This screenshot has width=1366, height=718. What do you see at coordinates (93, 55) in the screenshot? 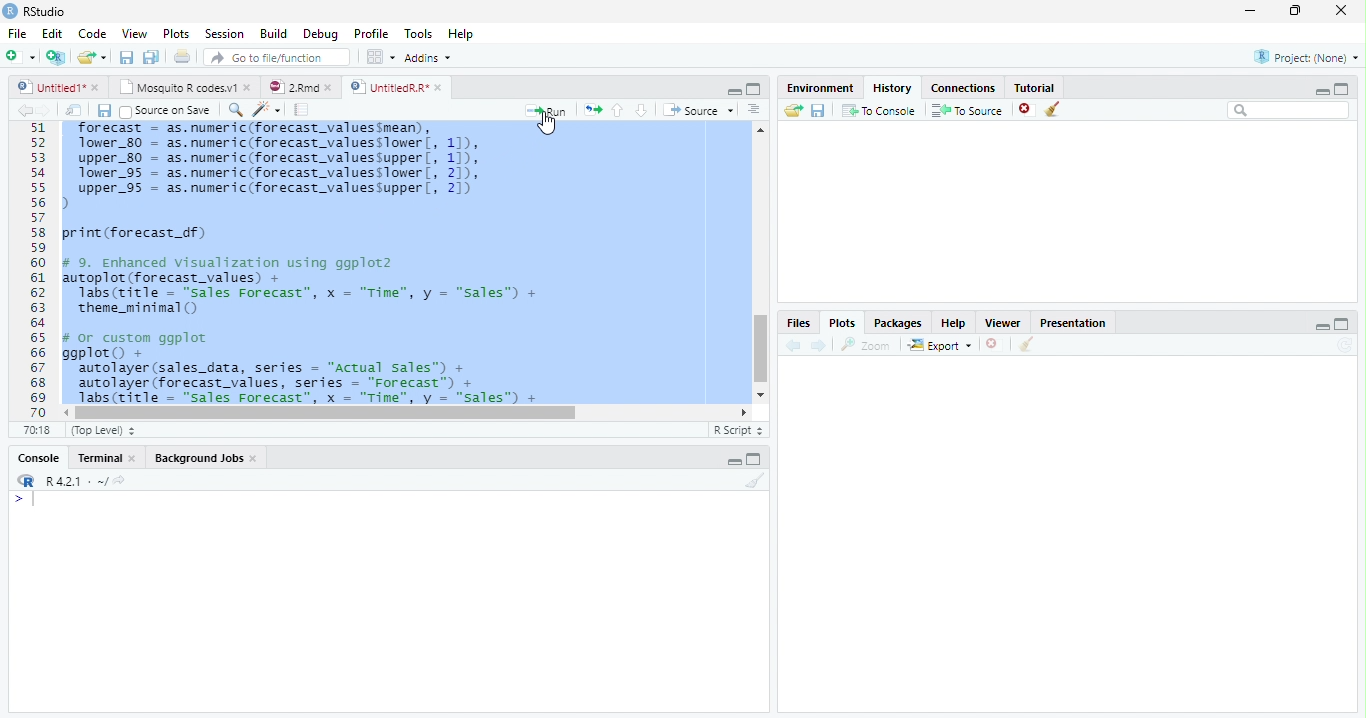
I see `Open Folder` at bounding box center [93, 55].